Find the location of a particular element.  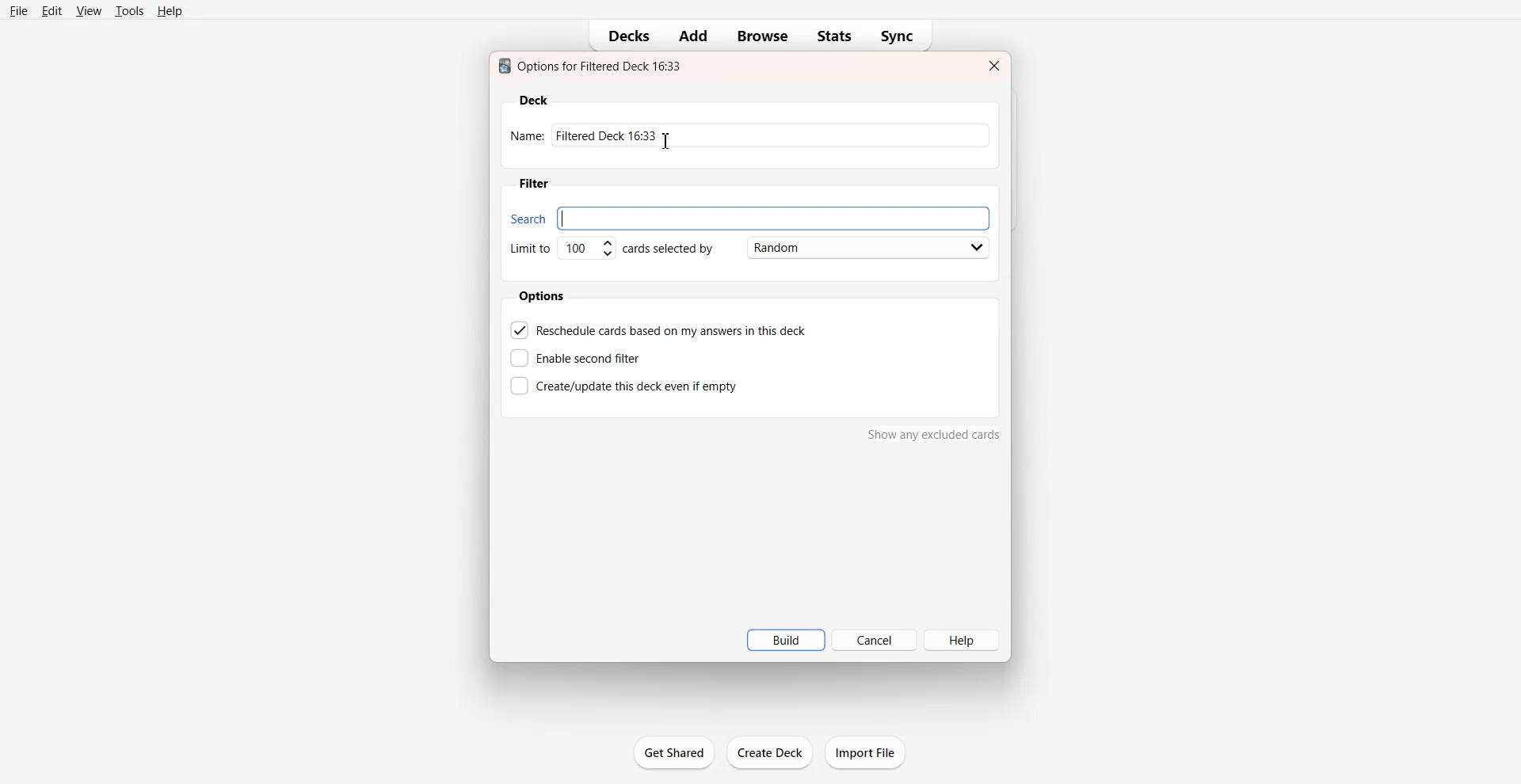

Build is located at coordinates (786, 640).